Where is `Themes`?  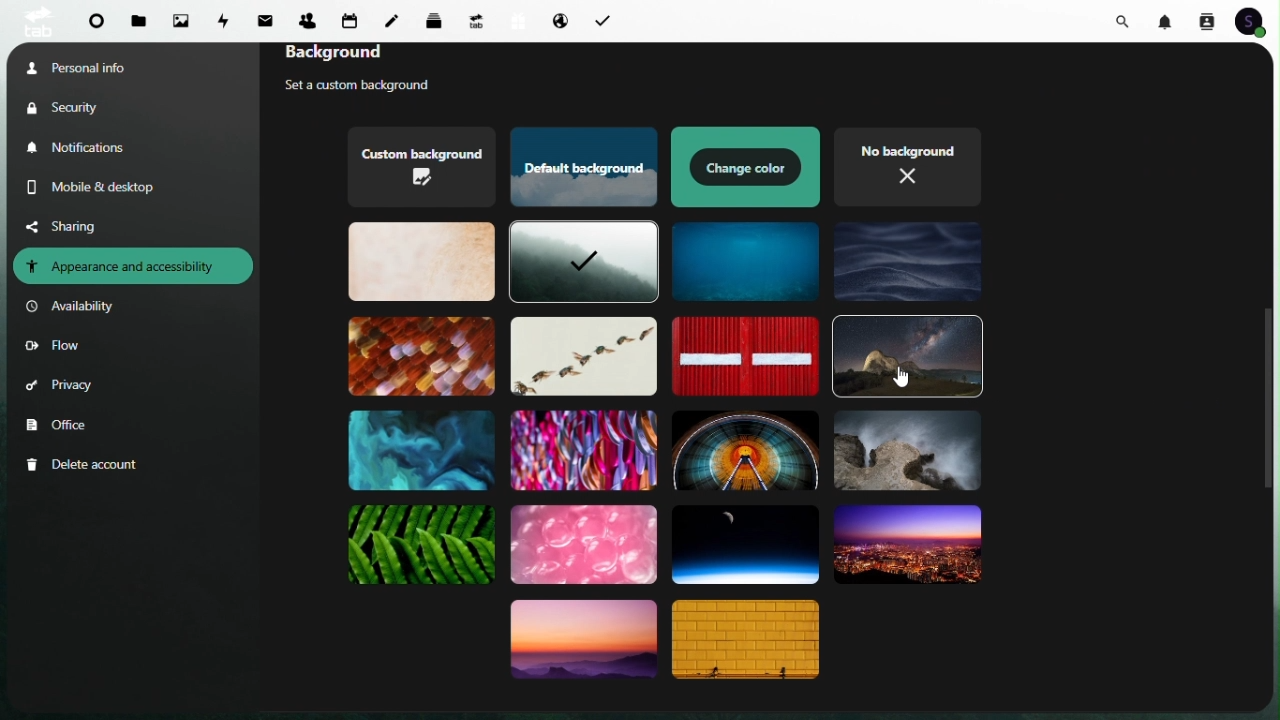
Themes is located at coordinates (749, 642).